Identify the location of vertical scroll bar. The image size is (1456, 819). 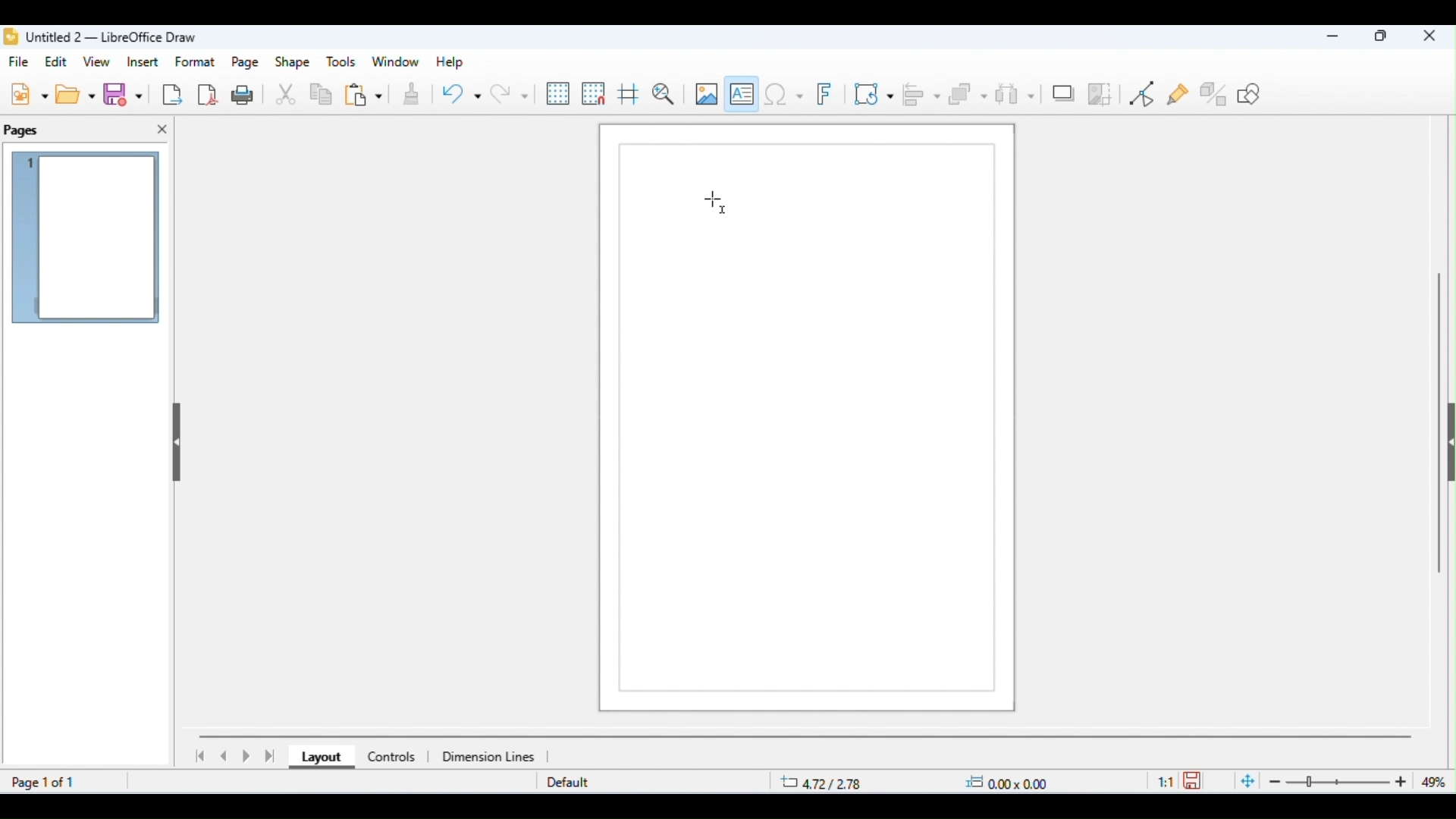
(1439, 417).